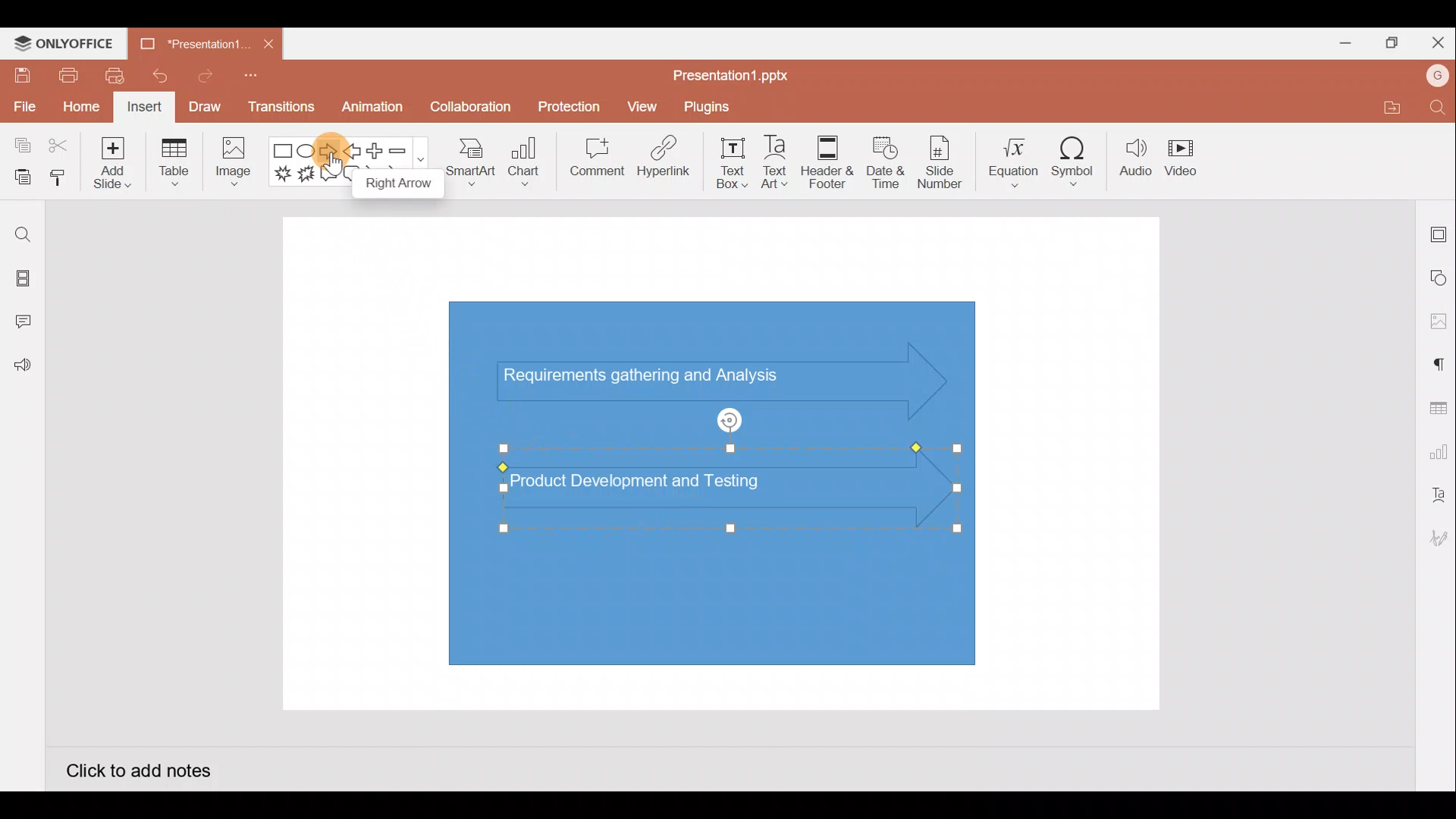 This screenshot has height=819, width=1456. What do you see at coordinates (565, 107) in the screenshot?
I see `Protection` at bounding box center [565, 107].